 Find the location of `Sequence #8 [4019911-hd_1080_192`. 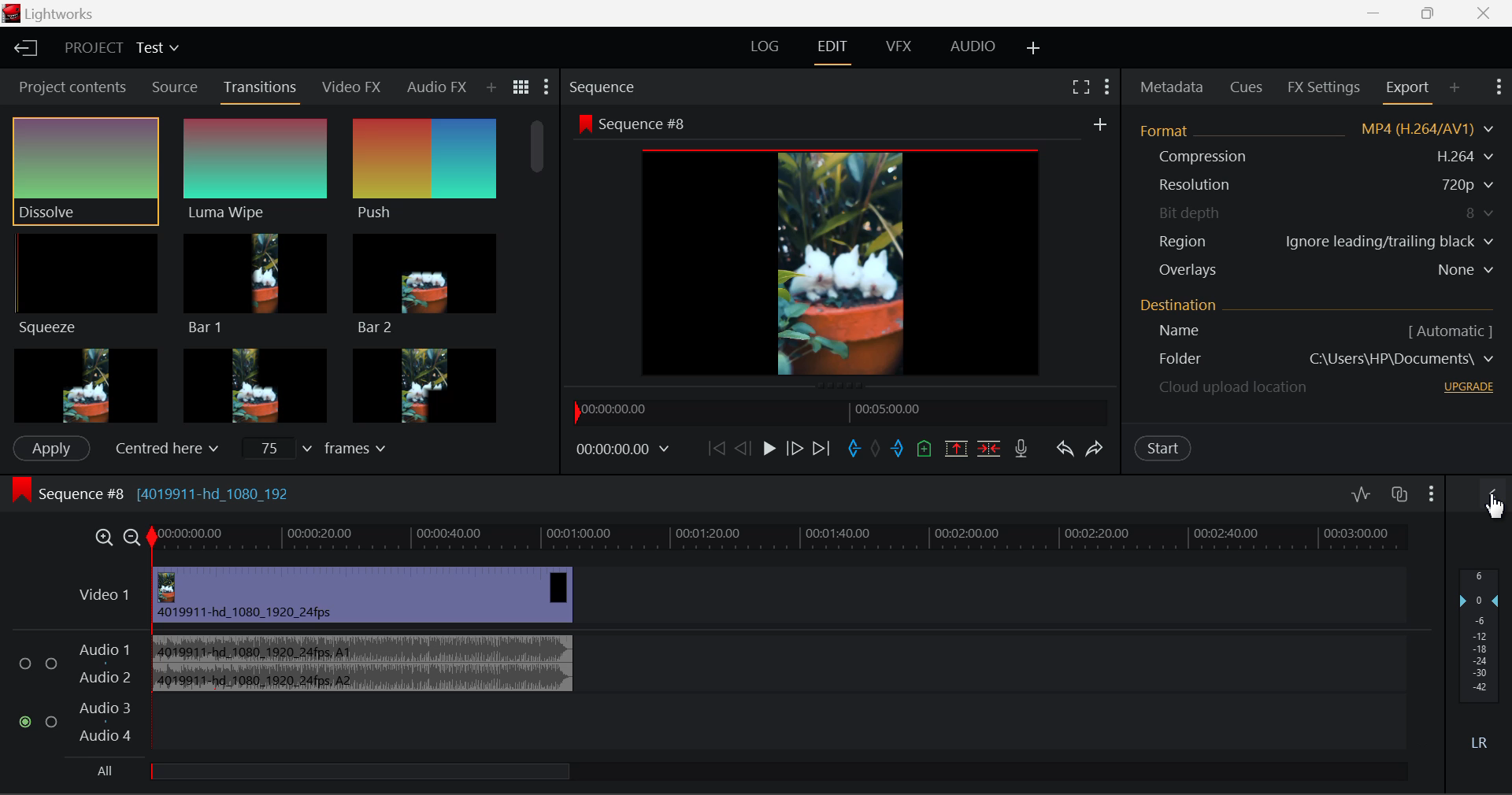

Sequence #8 [4019911-hd_1080_192 is located at coordinates (150, 493).